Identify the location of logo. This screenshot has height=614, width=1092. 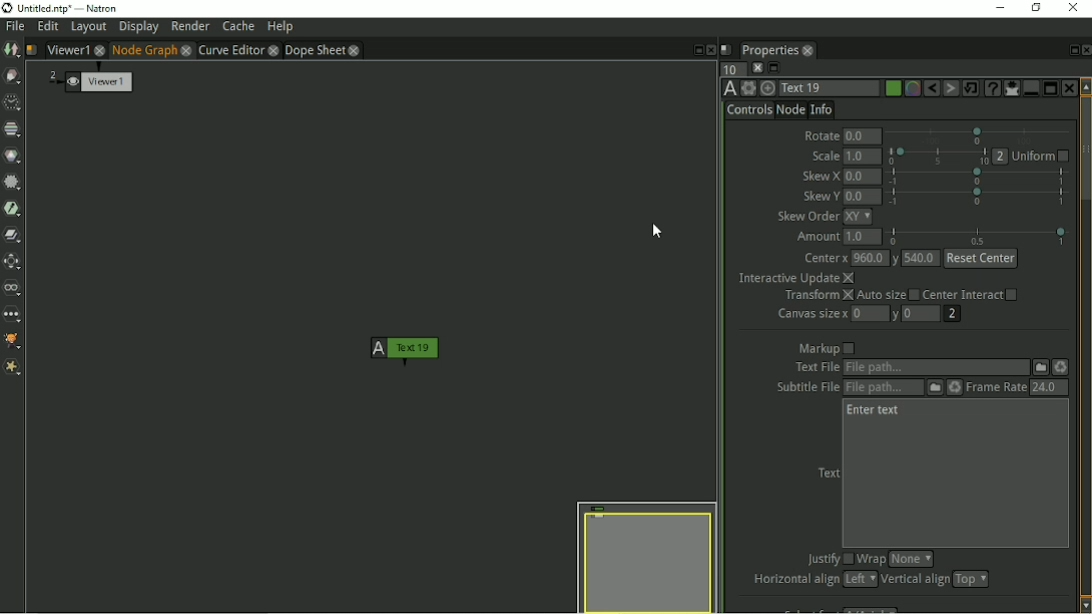
(8, 8).